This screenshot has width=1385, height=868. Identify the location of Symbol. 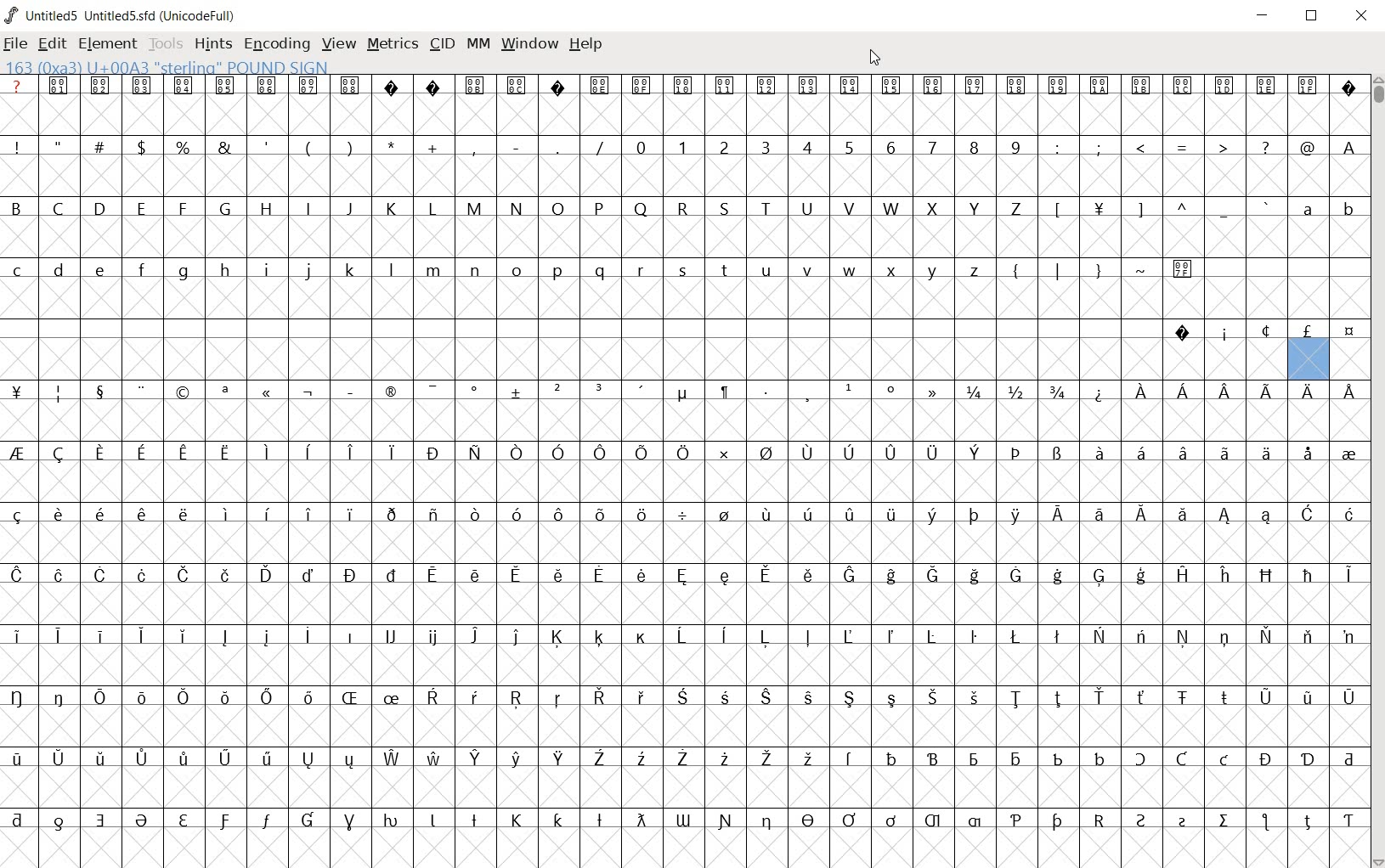
(1348, 697).